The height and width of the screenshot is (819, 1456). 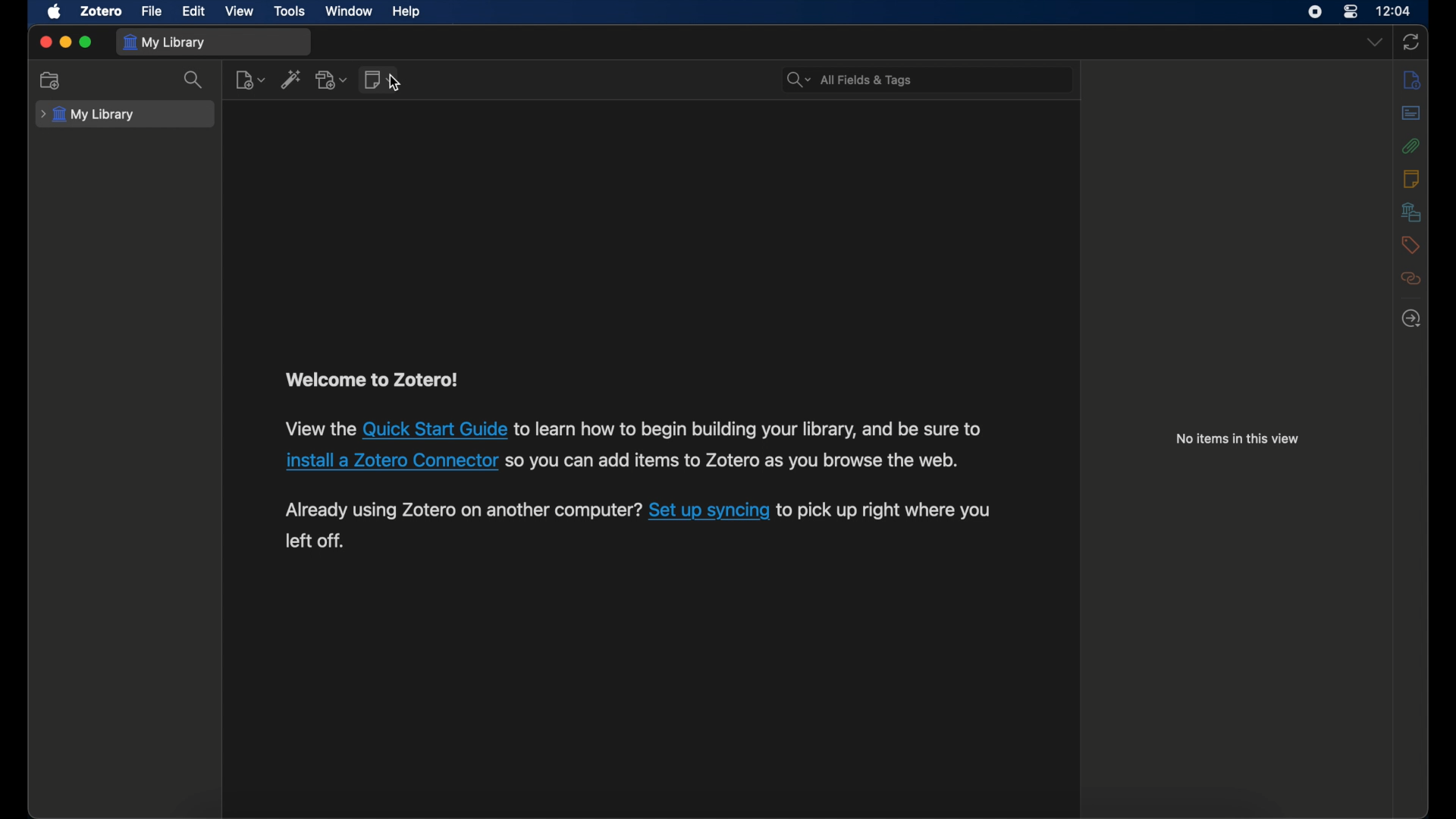 I want to click on sync, so click(x=1411, y=43).